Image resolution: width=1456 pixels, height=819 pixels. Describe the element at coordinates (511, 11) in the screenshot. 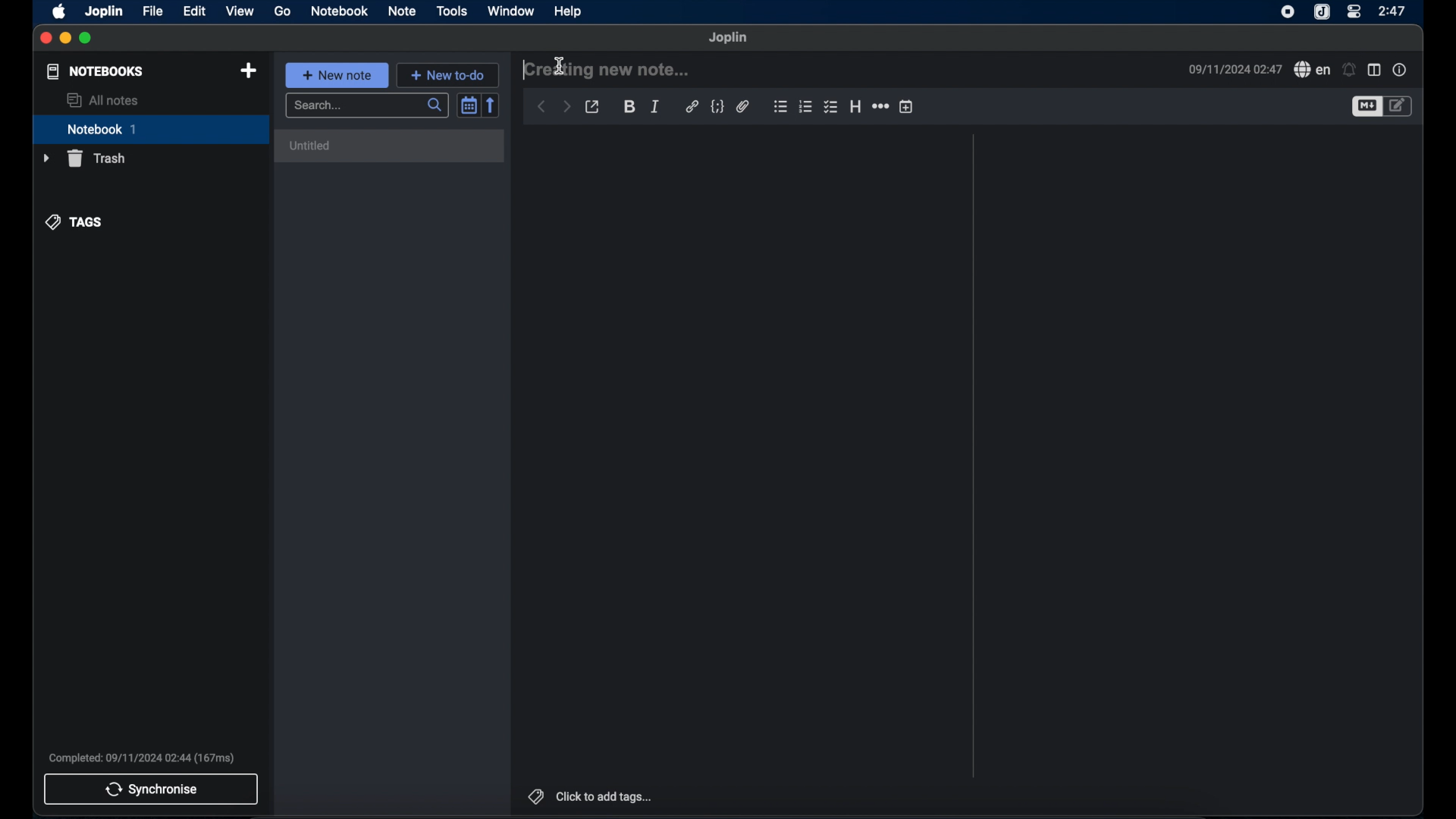

I see `window` at that location.